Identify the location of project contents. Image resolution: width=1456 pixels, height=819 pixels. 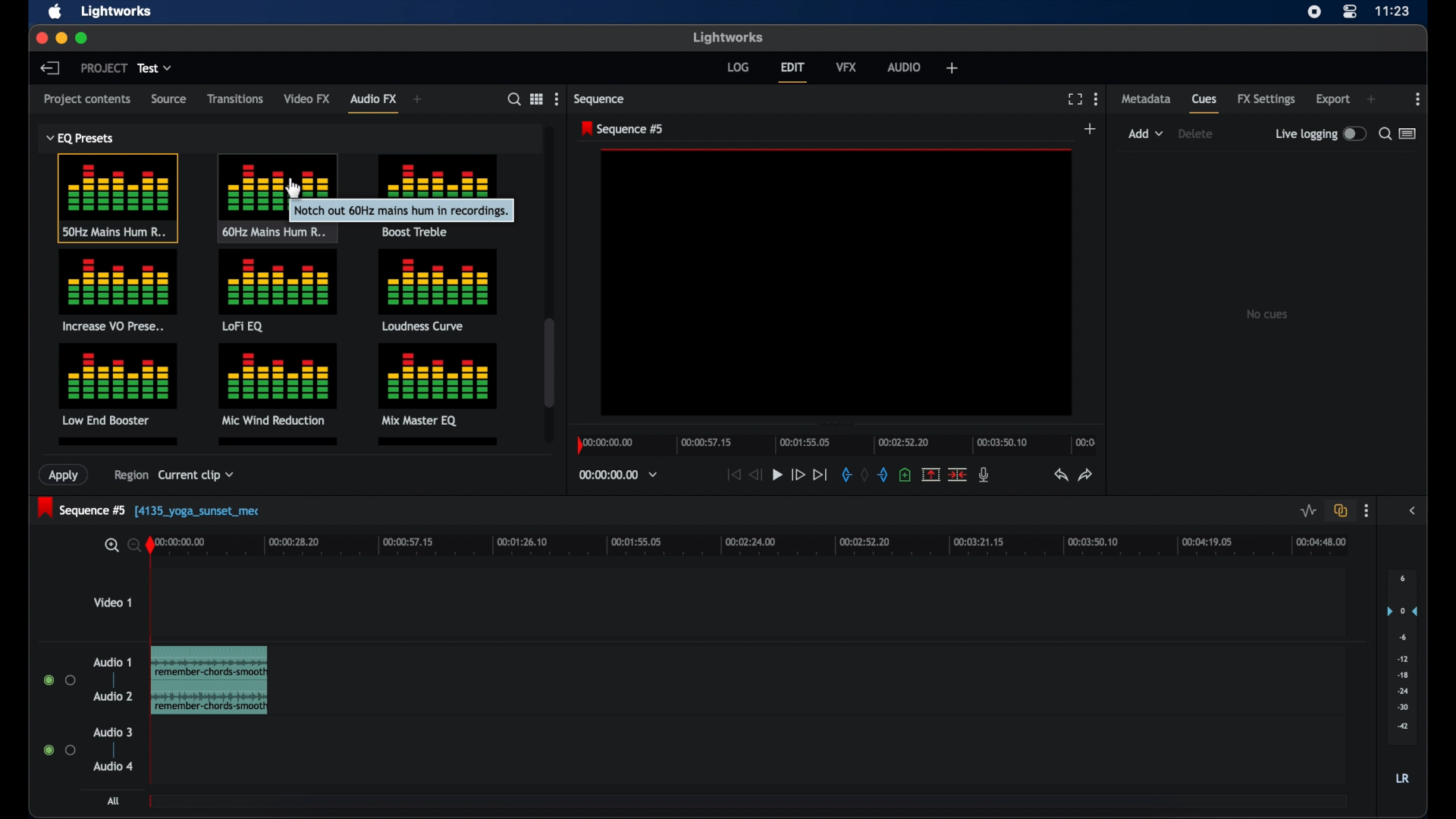
(87, 102).